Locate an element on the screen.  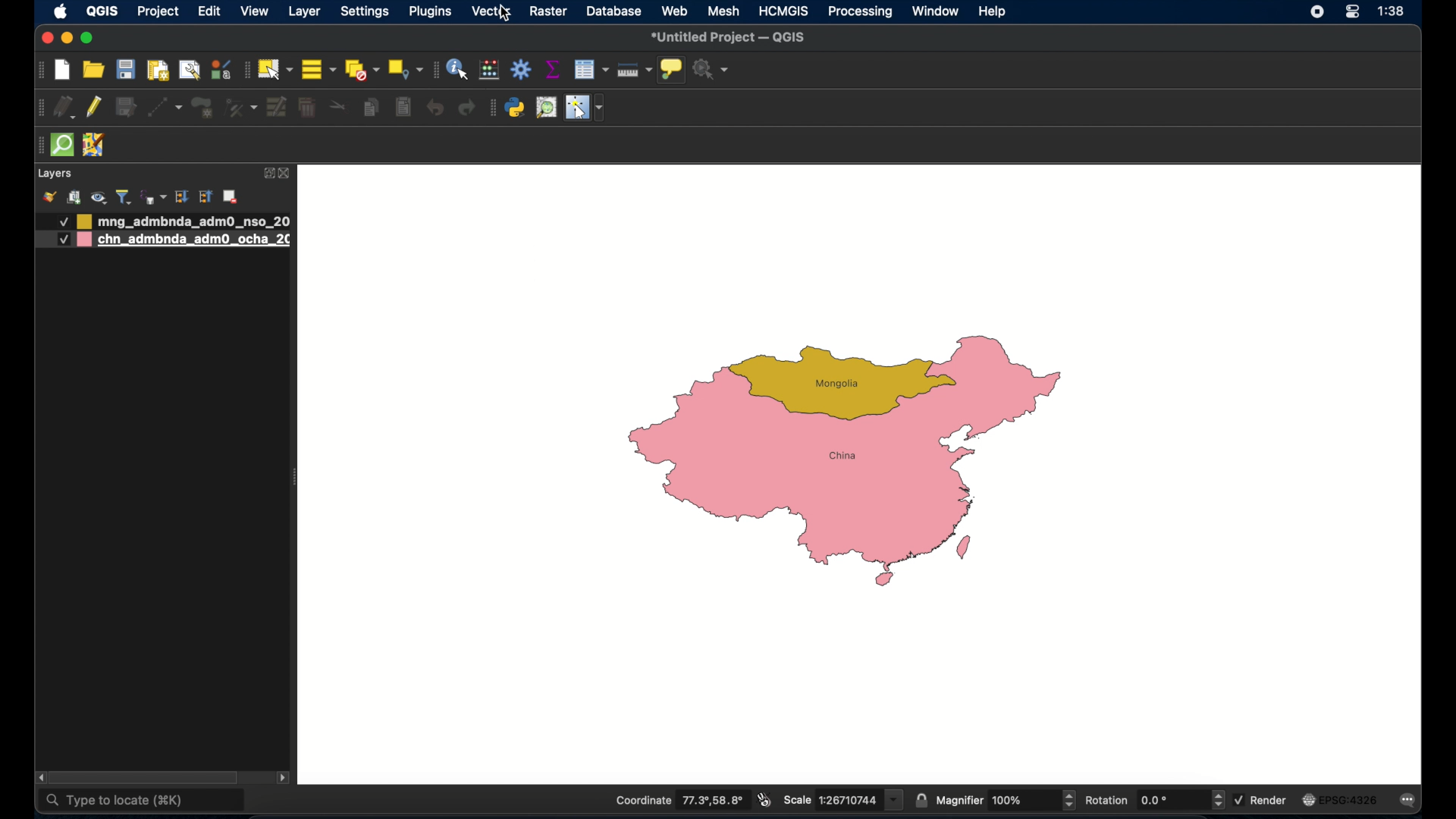
filter legend is located at coordinates (124, 196).